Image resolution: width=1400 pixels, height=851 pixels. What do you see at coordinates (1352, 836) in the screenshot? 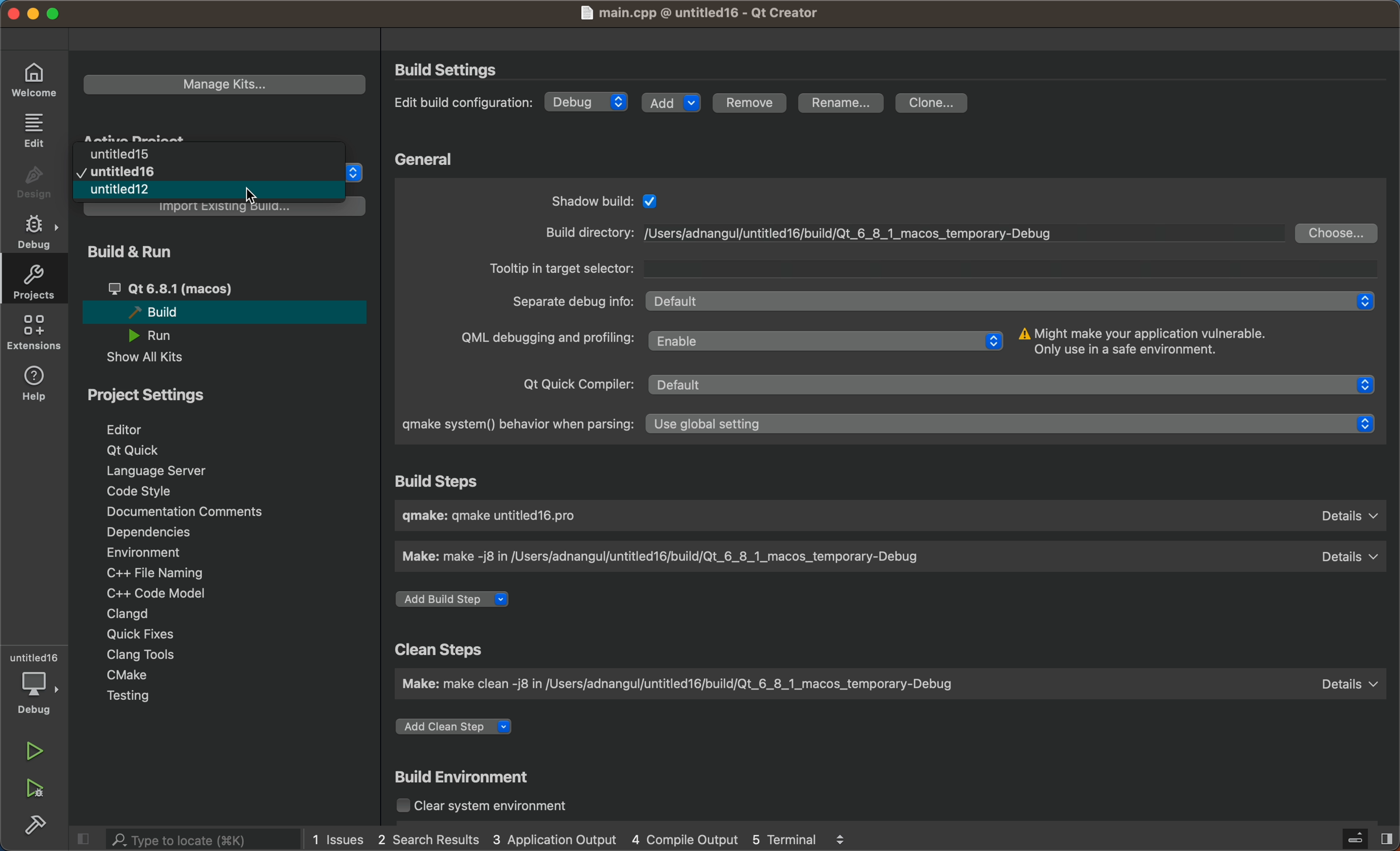
I see `close sidebar` at bounding box center [1352, 836].